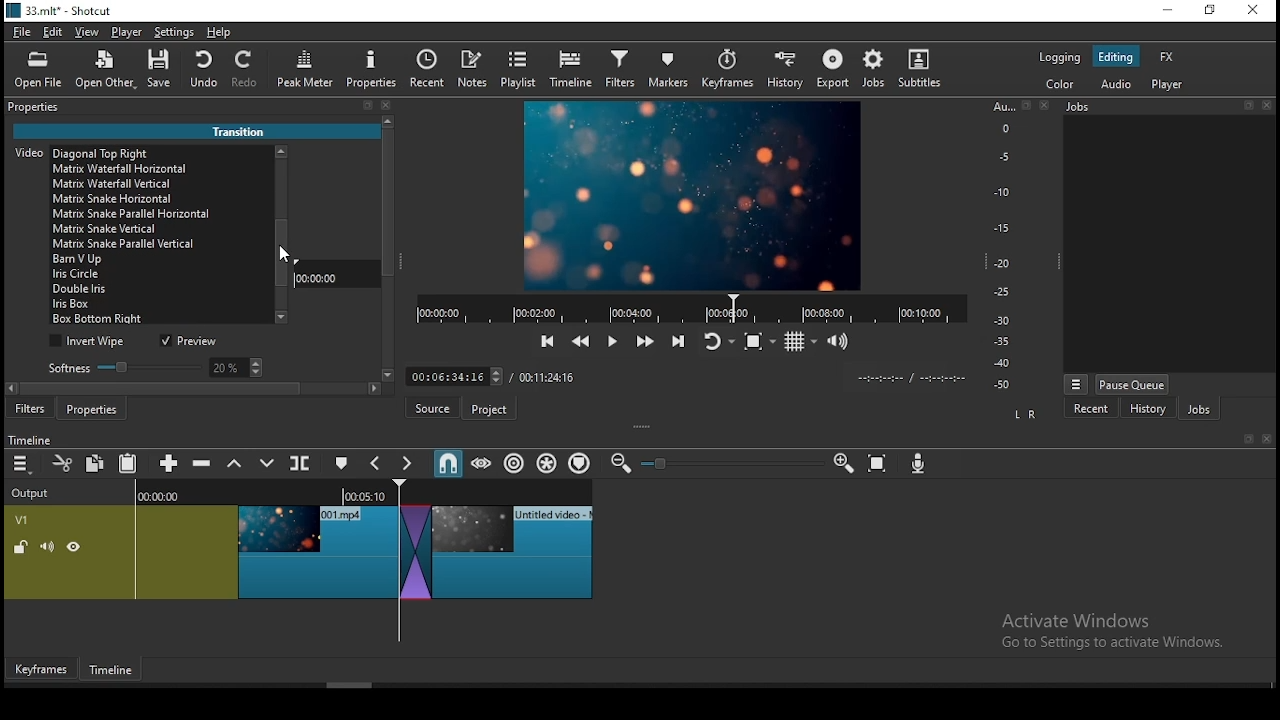 The image size is (1280, 720). What do you see at coordinates (344, 464) in the screenshot?
I see `create/edit marker` at bounding box center [344, 464].